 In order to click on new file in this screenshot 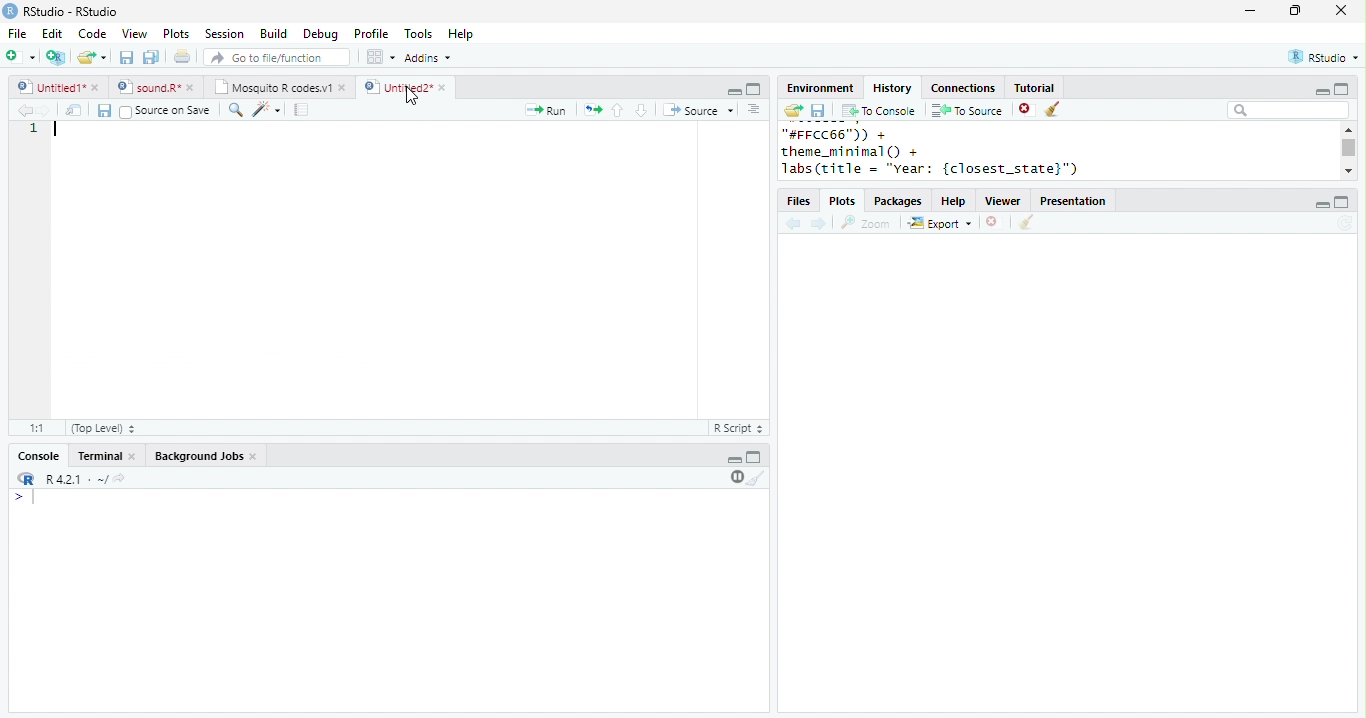, I will do `click(20, 56)`.